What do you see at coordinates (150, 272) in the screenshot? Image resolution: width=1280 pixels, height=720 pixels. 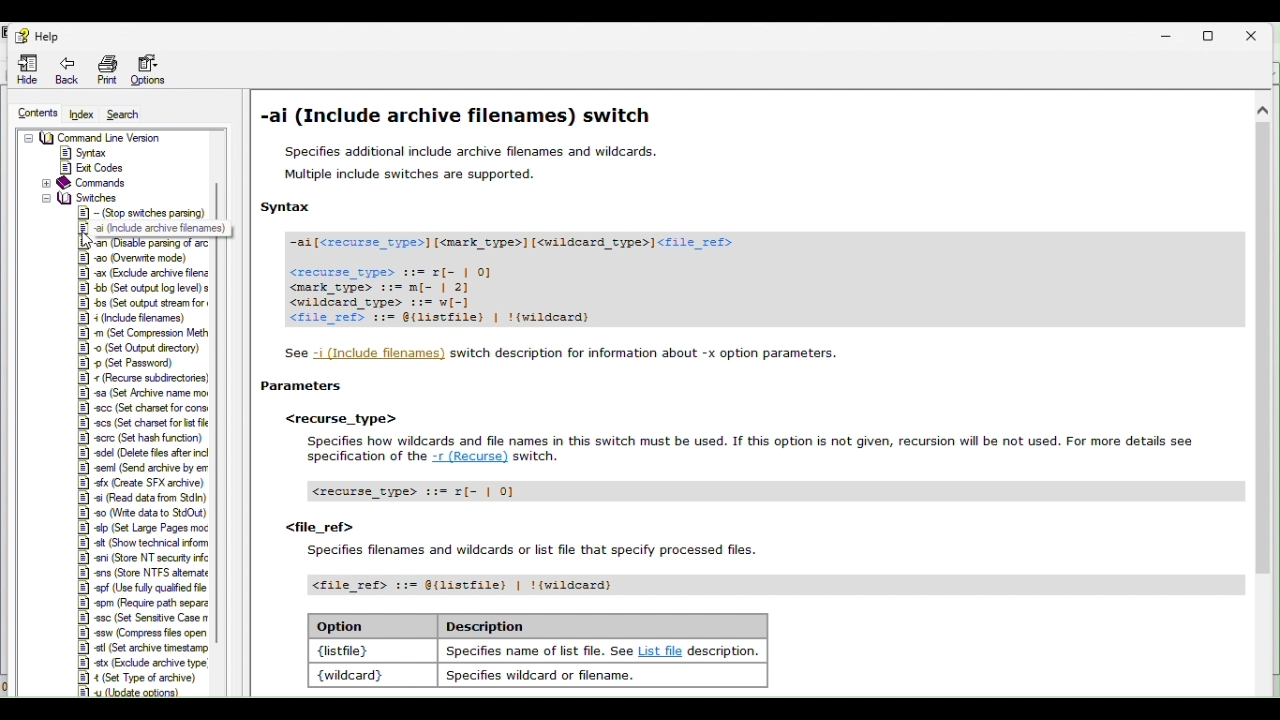 I see `X (Exclude archve feng |` at bounding box center [150, 272].